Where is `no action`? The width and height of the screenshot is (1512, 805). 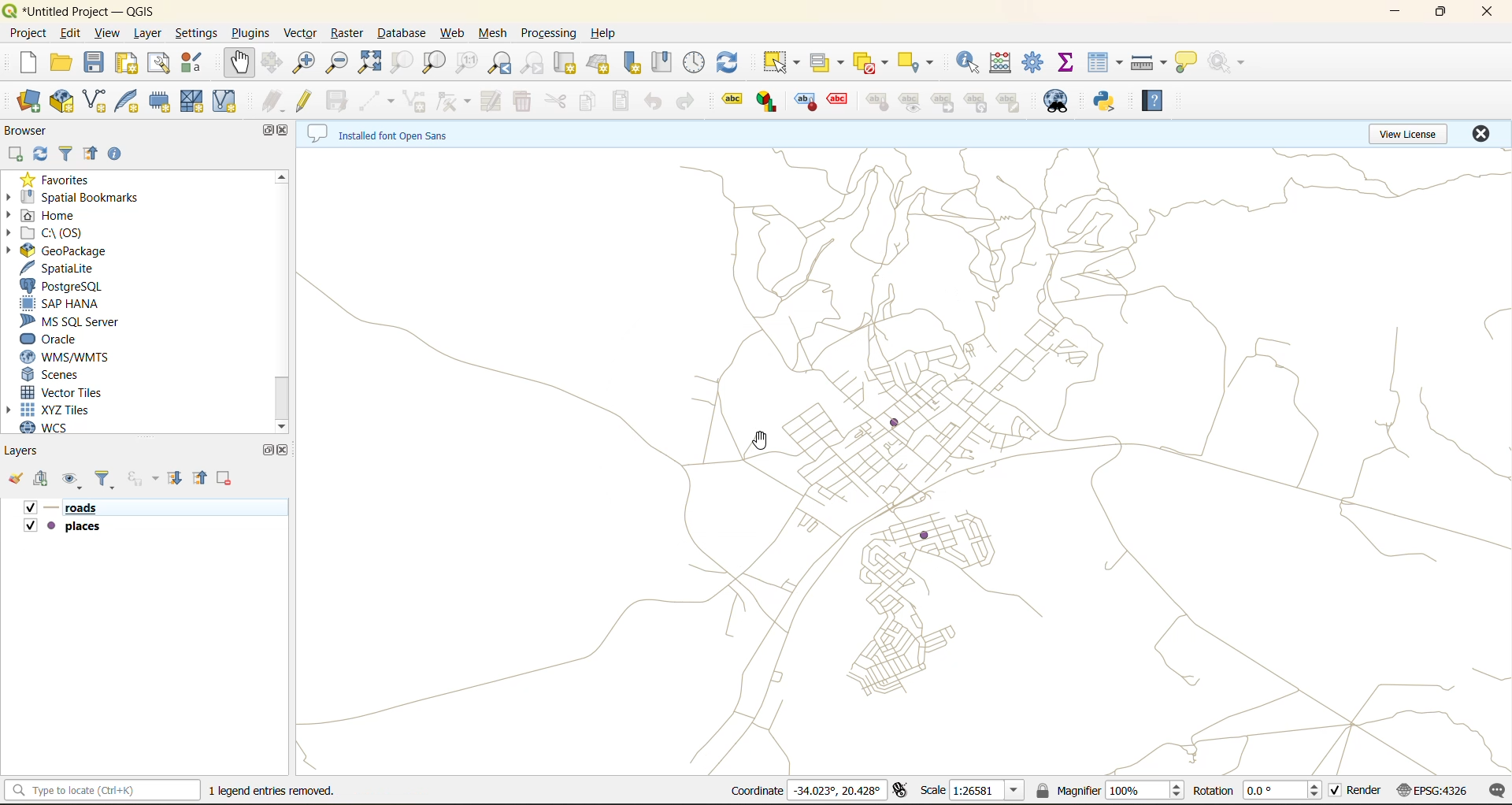 no action is located at coordinates (1229, 64).